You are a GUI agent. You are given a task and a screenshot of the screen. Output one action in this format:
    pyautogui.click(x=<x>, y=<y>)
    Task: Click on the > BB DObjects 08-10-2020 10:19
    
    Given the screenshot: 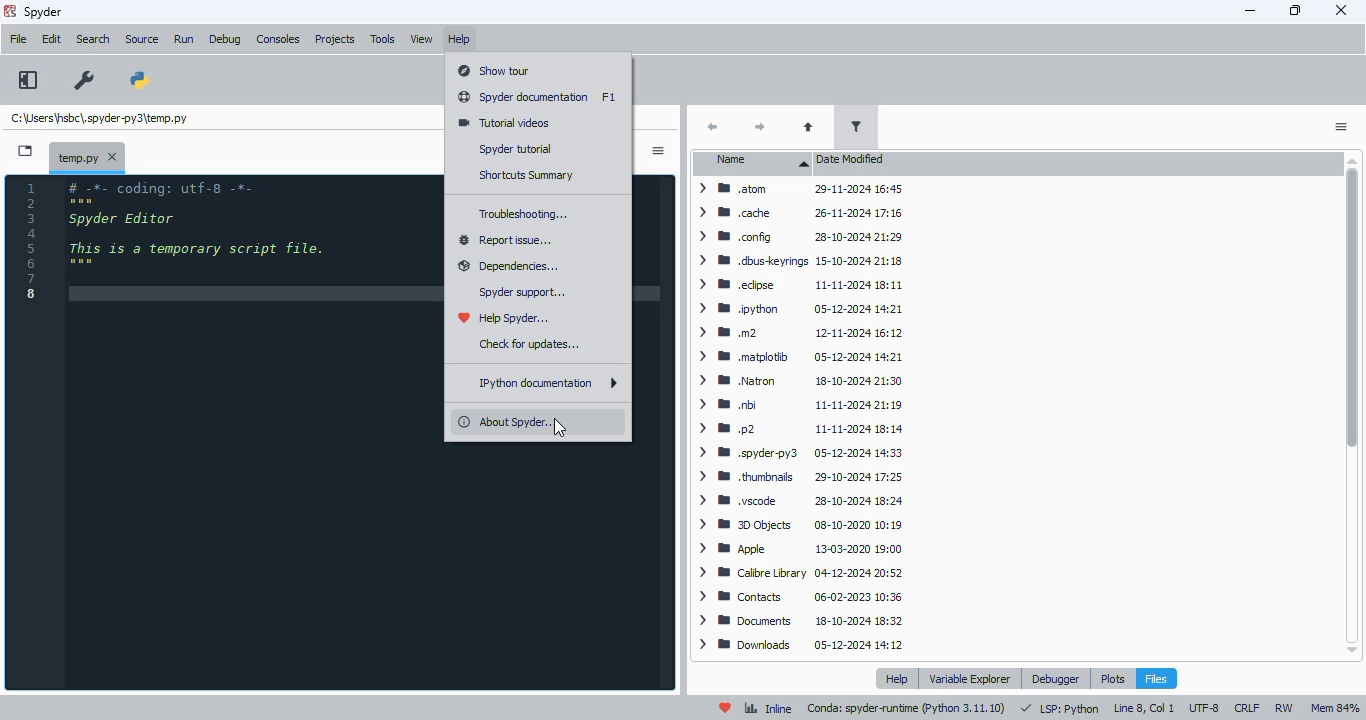 What is the action you would take?
    pyautogui.click(x=798, y=523)
    